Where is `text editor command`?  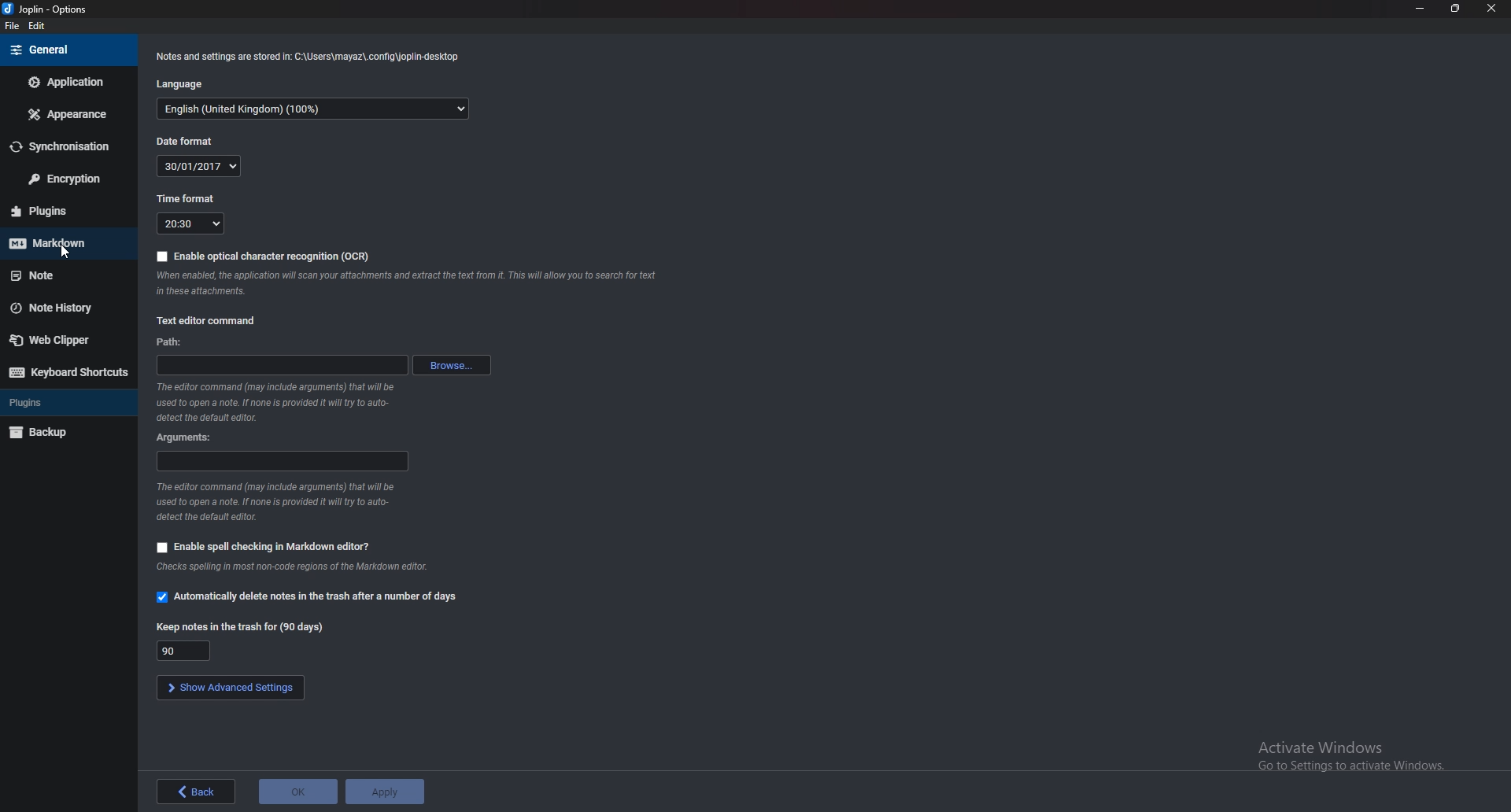 text editor command is located at coordinates (205, 320).